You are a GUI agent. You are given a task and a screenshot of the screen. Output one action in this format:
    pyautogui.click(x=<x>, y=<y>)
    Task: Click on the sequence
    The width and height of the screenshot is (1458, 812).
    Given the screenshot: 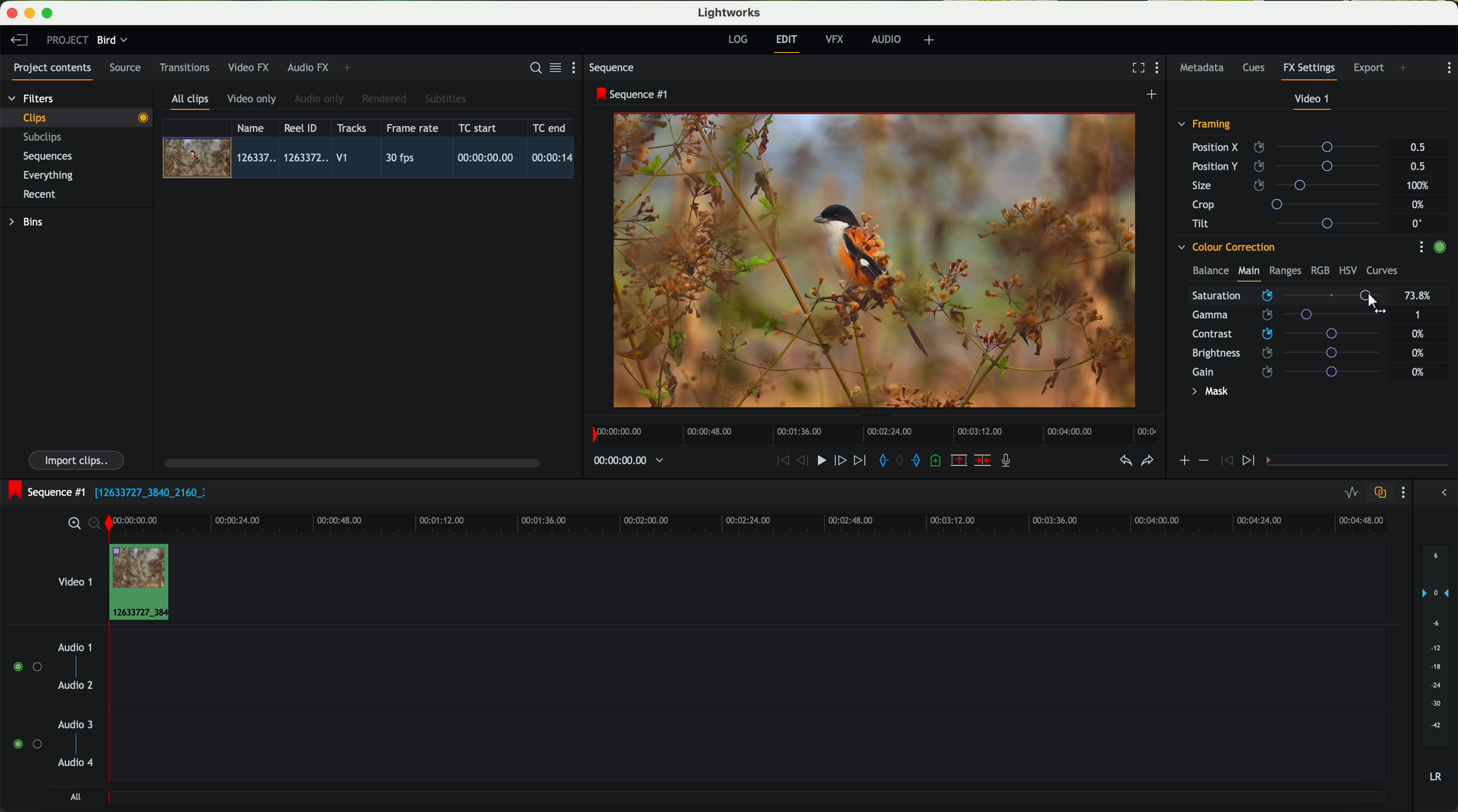 What is the action you would take?
    pyautogui.click(x=612, y=68)
    